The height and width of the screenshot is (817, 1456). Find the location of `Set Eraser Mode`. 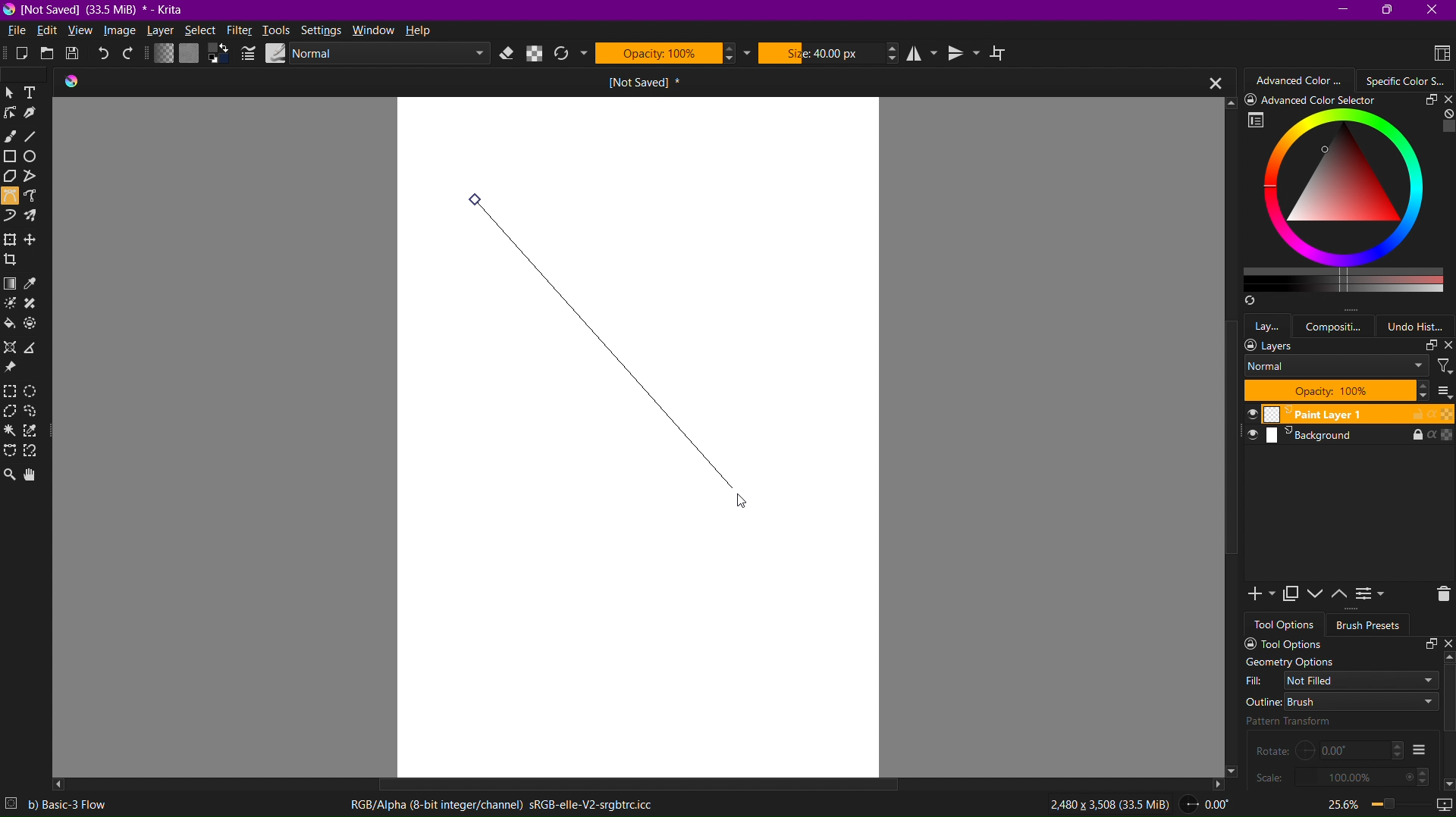

Set Eraser Mode is located at coordinates (508, 54).